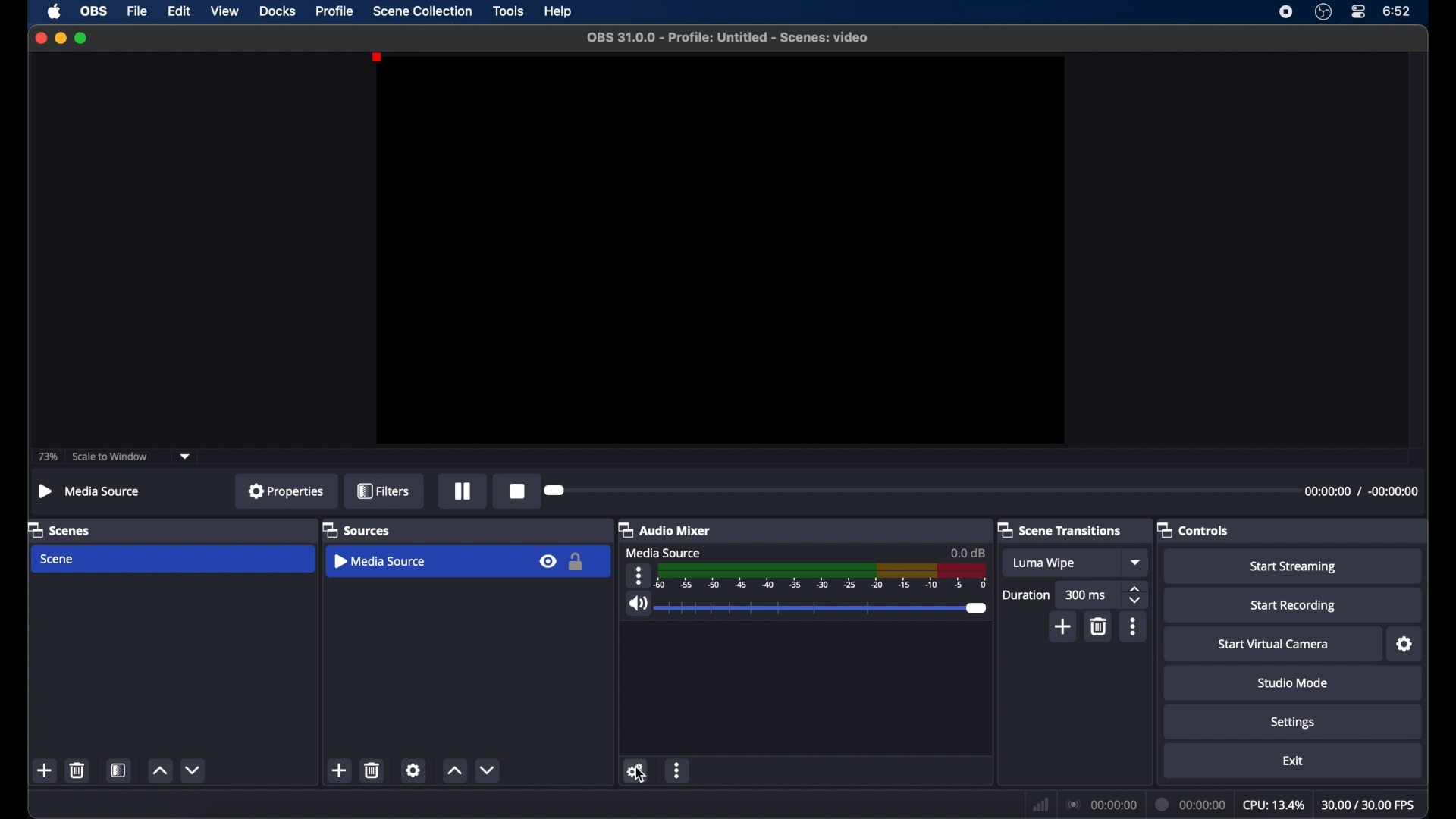  I want to click on control center, so click(1357, 12).